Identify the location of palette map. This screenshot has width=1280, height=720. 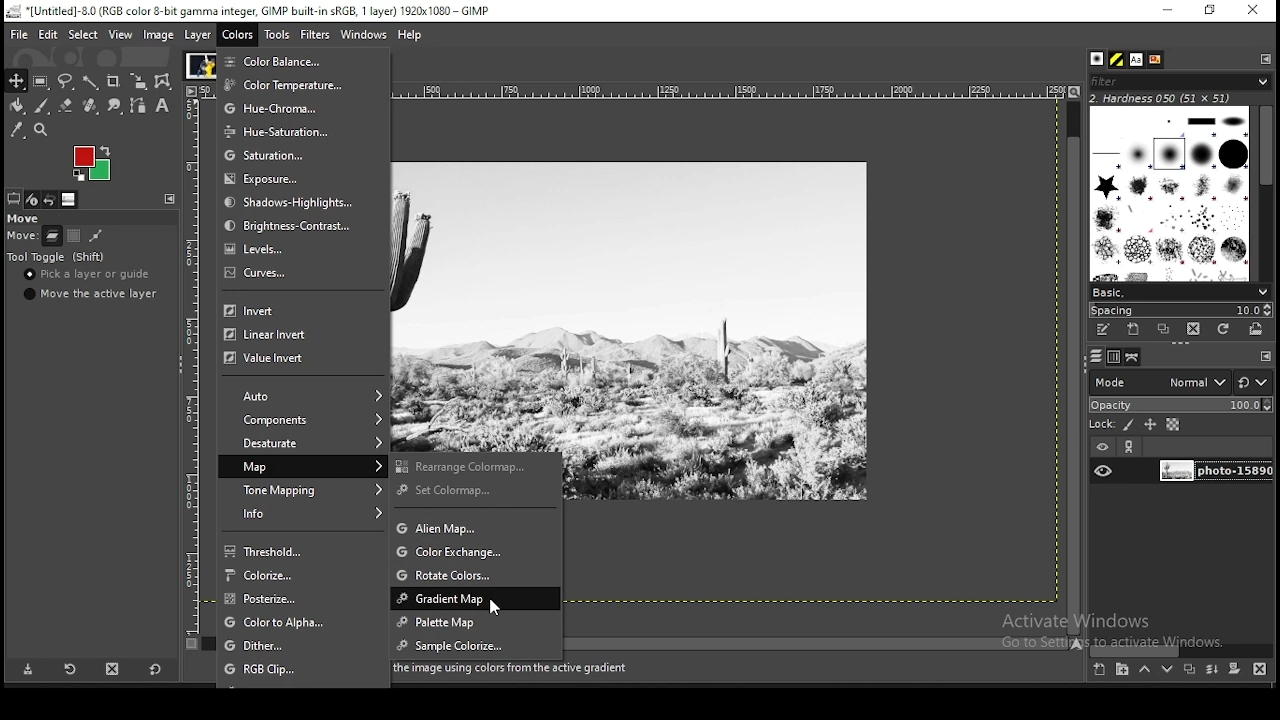
(475, 623).